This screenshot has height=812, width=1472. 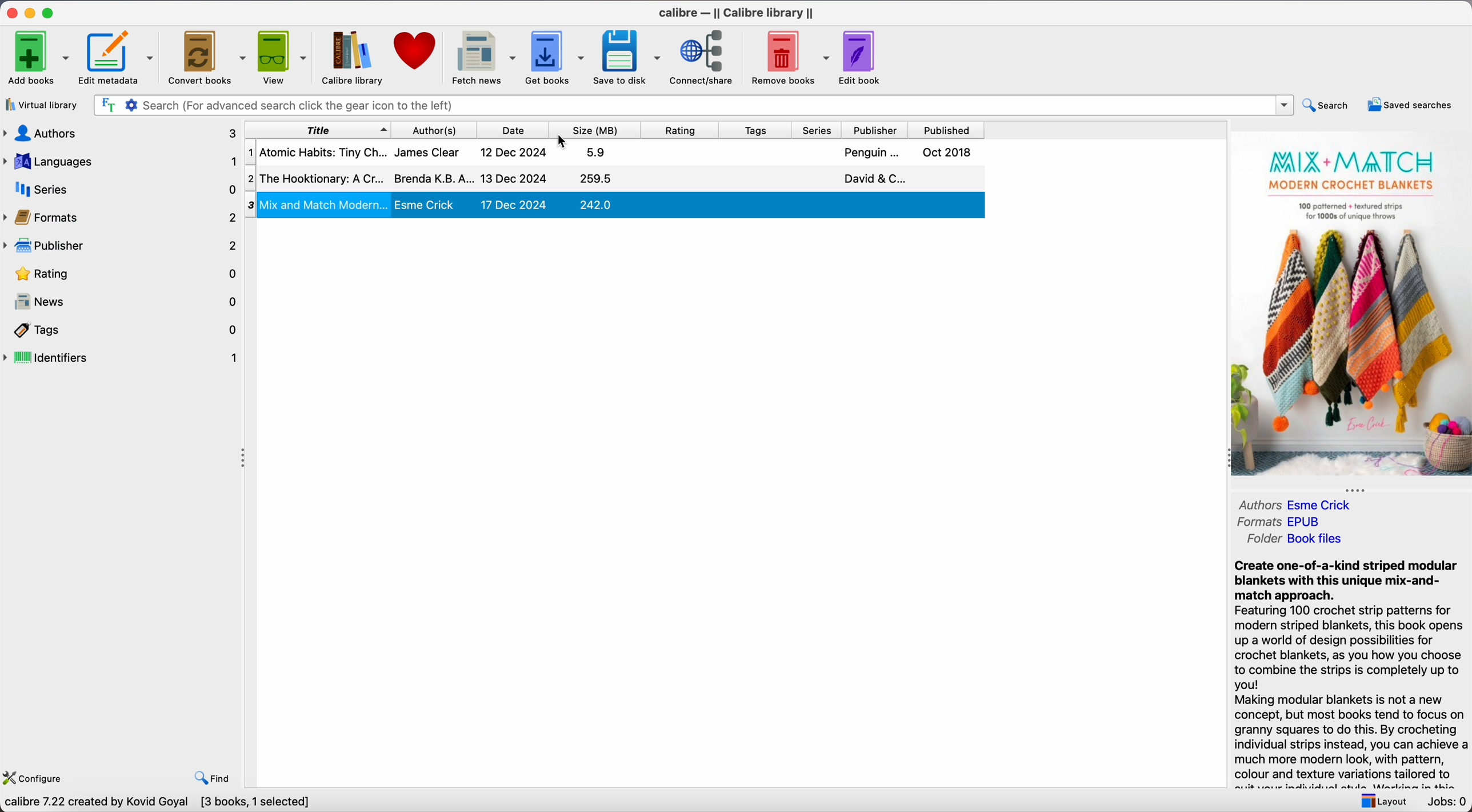 I want to click on save to disk, so click(x=628, y=57).